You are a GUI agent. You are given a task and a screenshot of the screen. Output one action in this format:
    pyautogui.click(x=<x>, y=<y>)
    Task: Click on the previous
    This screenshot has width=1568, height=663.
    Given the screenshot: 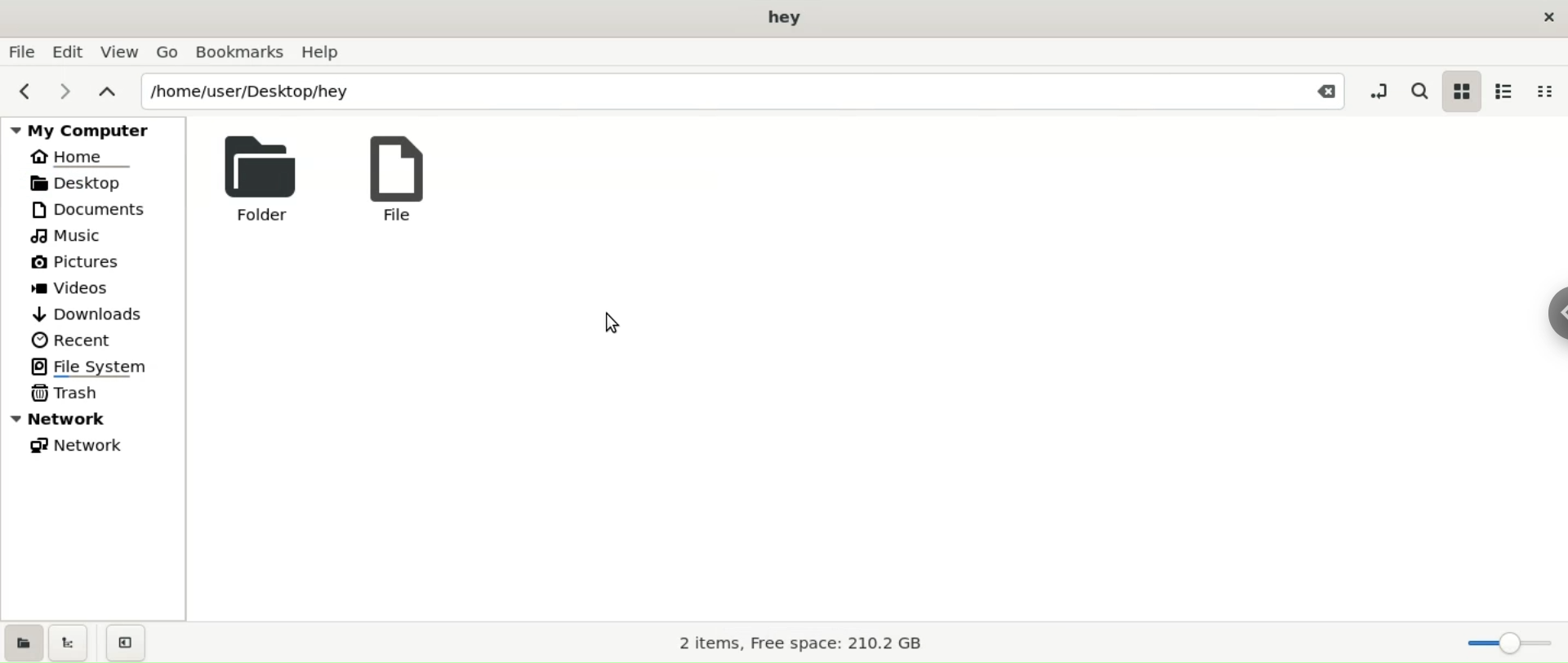 What is the action you would take?
    pyautogui.click(x=27, y=90)
    